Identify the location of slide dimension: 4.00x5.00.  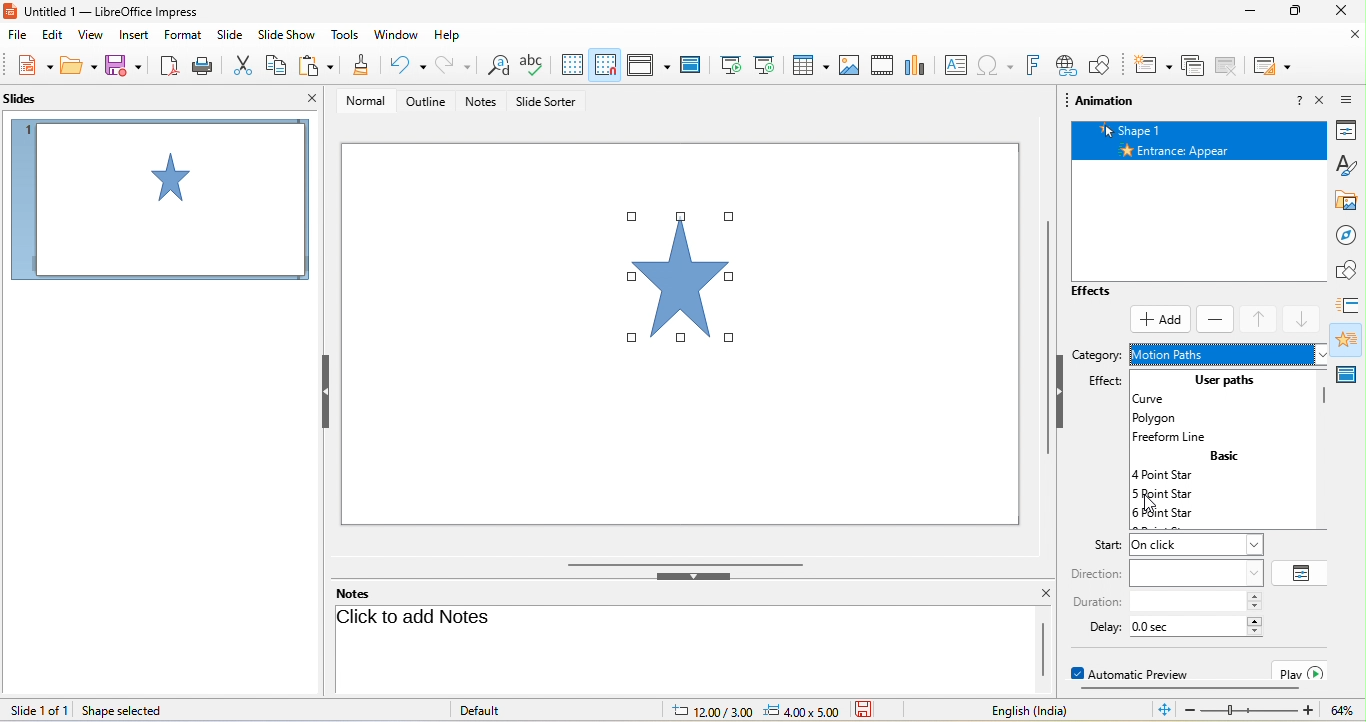
(801, 711).